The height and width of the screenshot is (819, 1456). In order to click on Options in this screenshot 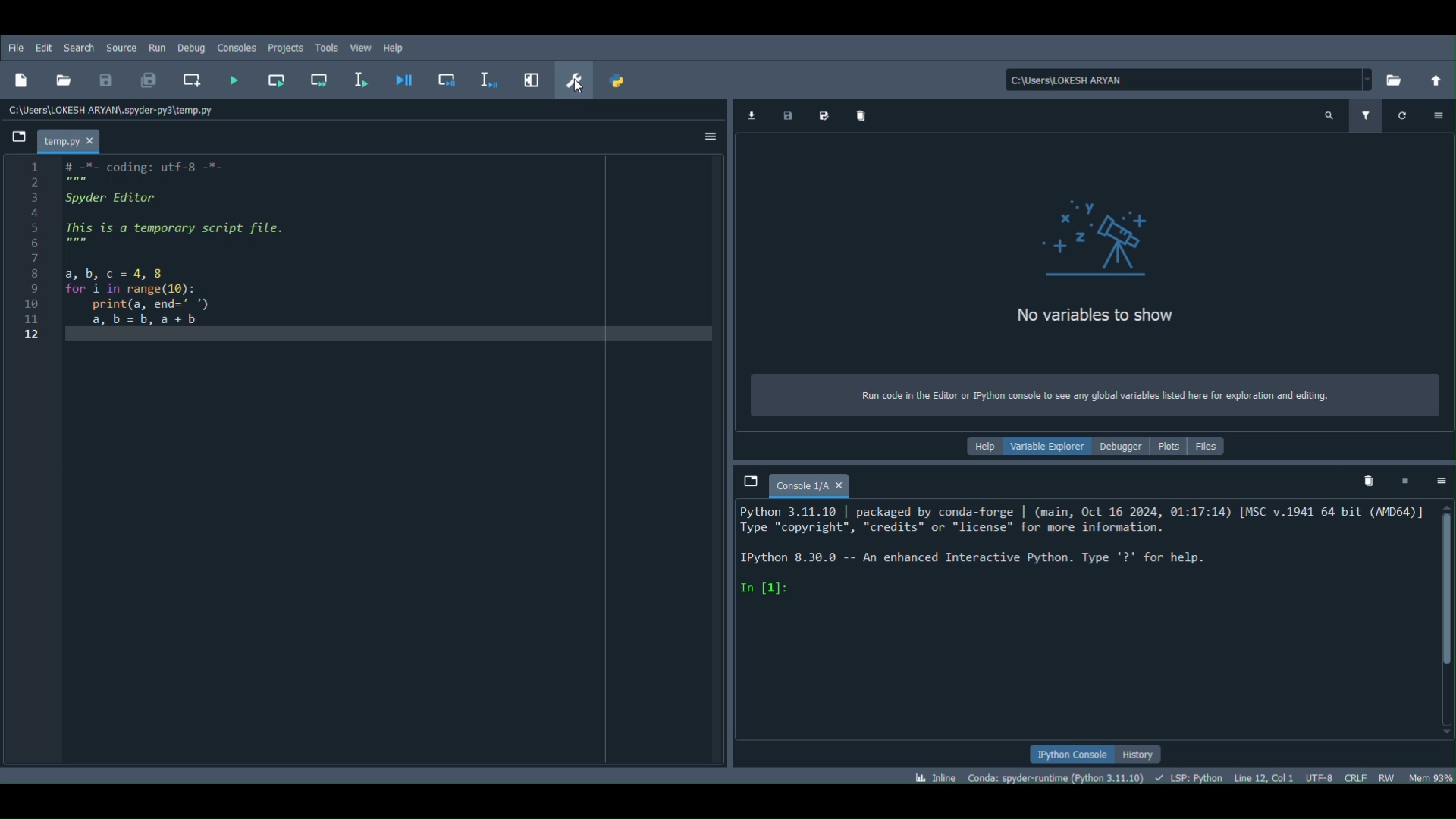, I will do `click(1441, 480)`.